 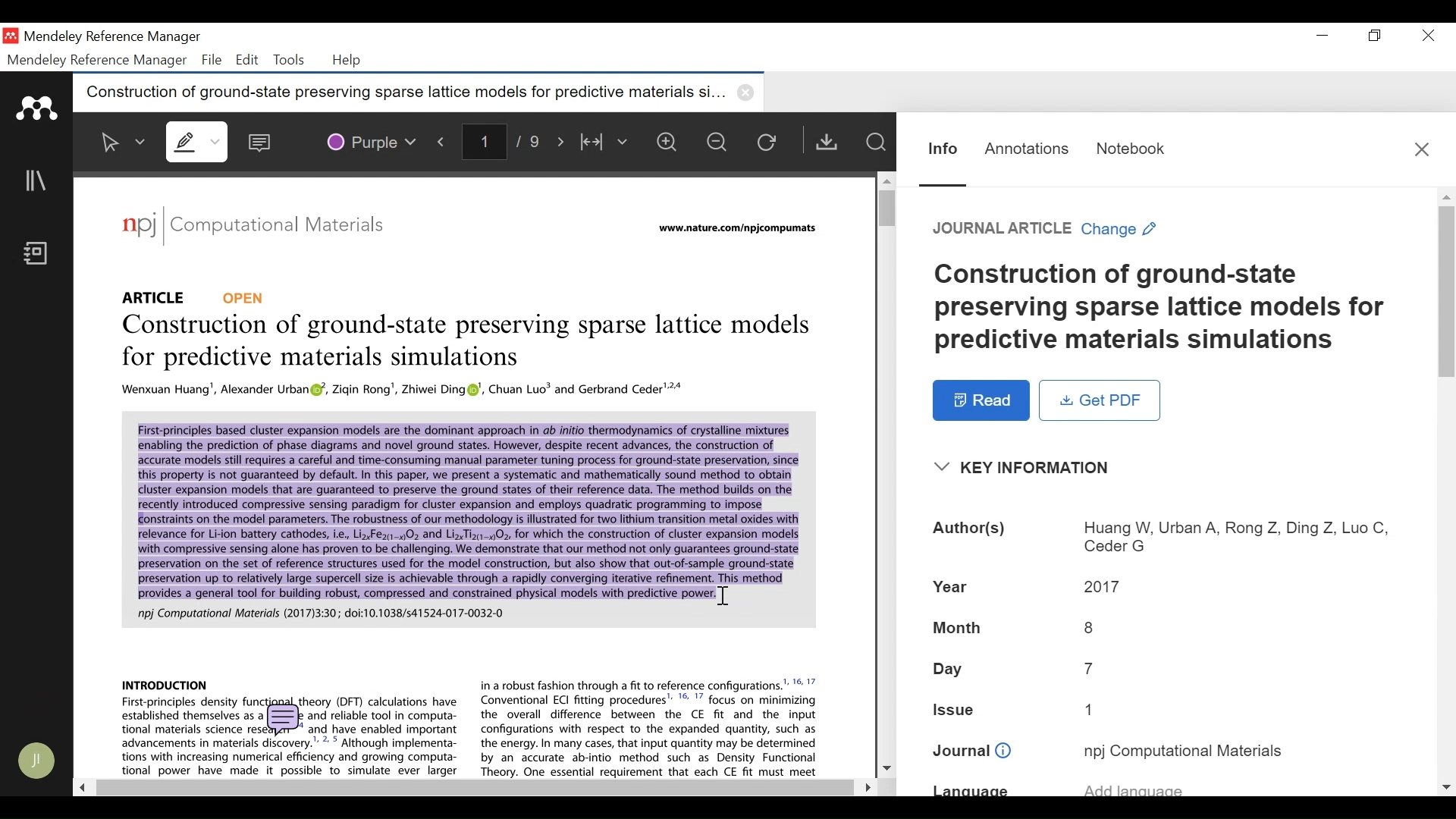 What do you see at coordinates (651, 726) in the screenshot?
I see `PDF Context` at bounding box center [651, 726].